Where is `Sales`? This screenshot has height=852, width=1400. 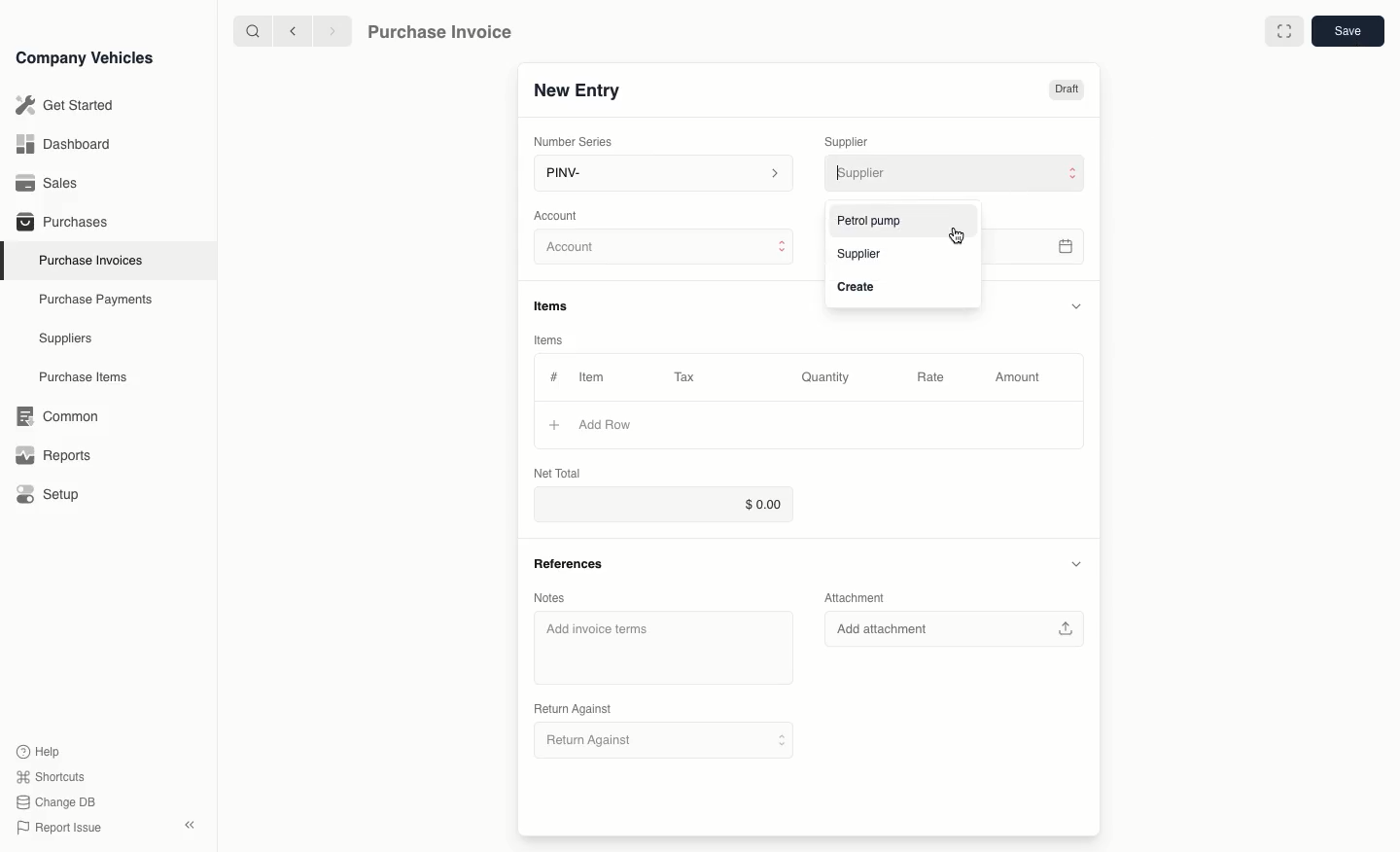 Sales is located at coordinates (48, 183).